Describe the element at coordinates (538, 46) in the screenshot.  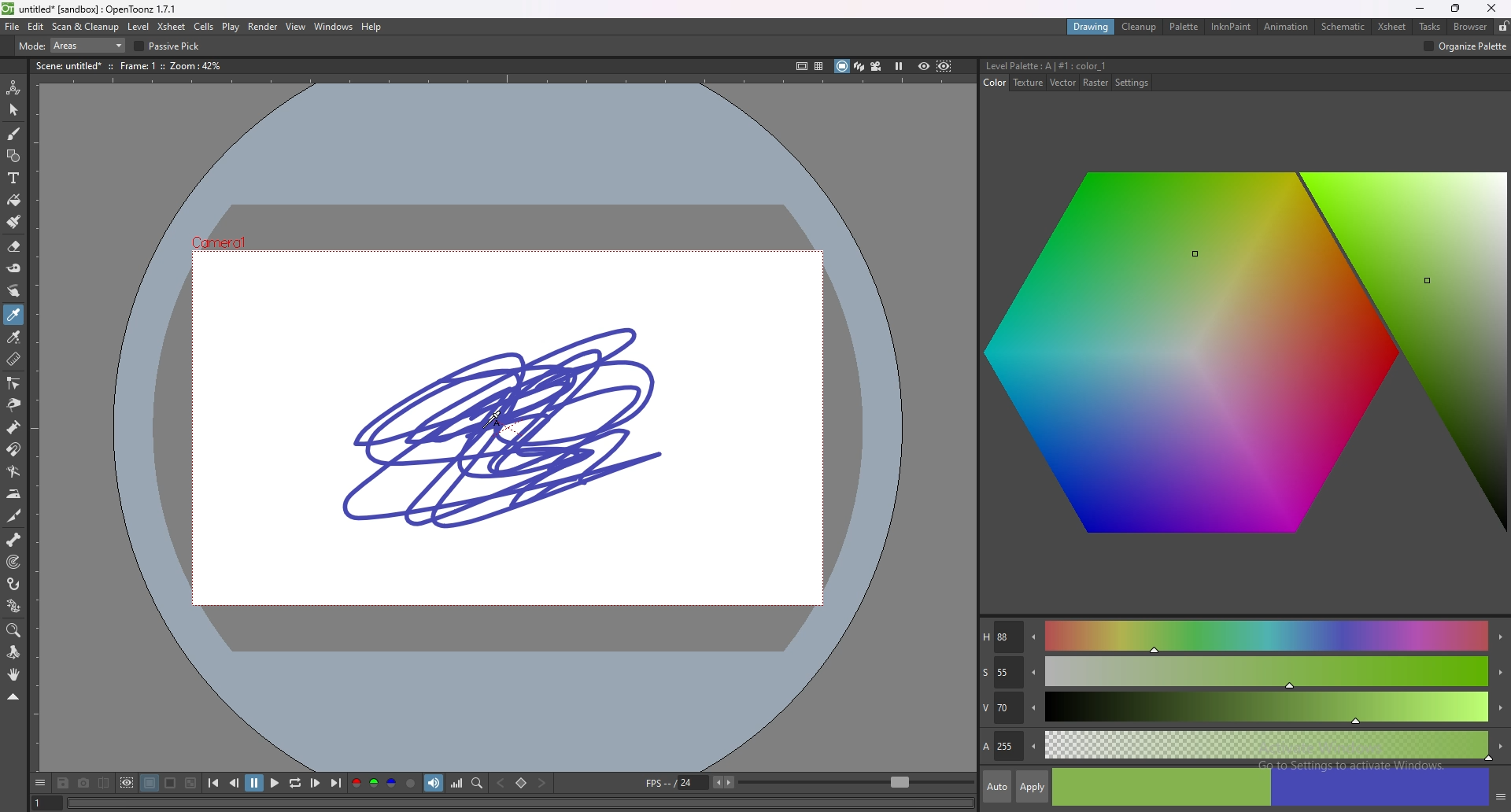
I see `scale` at that location.